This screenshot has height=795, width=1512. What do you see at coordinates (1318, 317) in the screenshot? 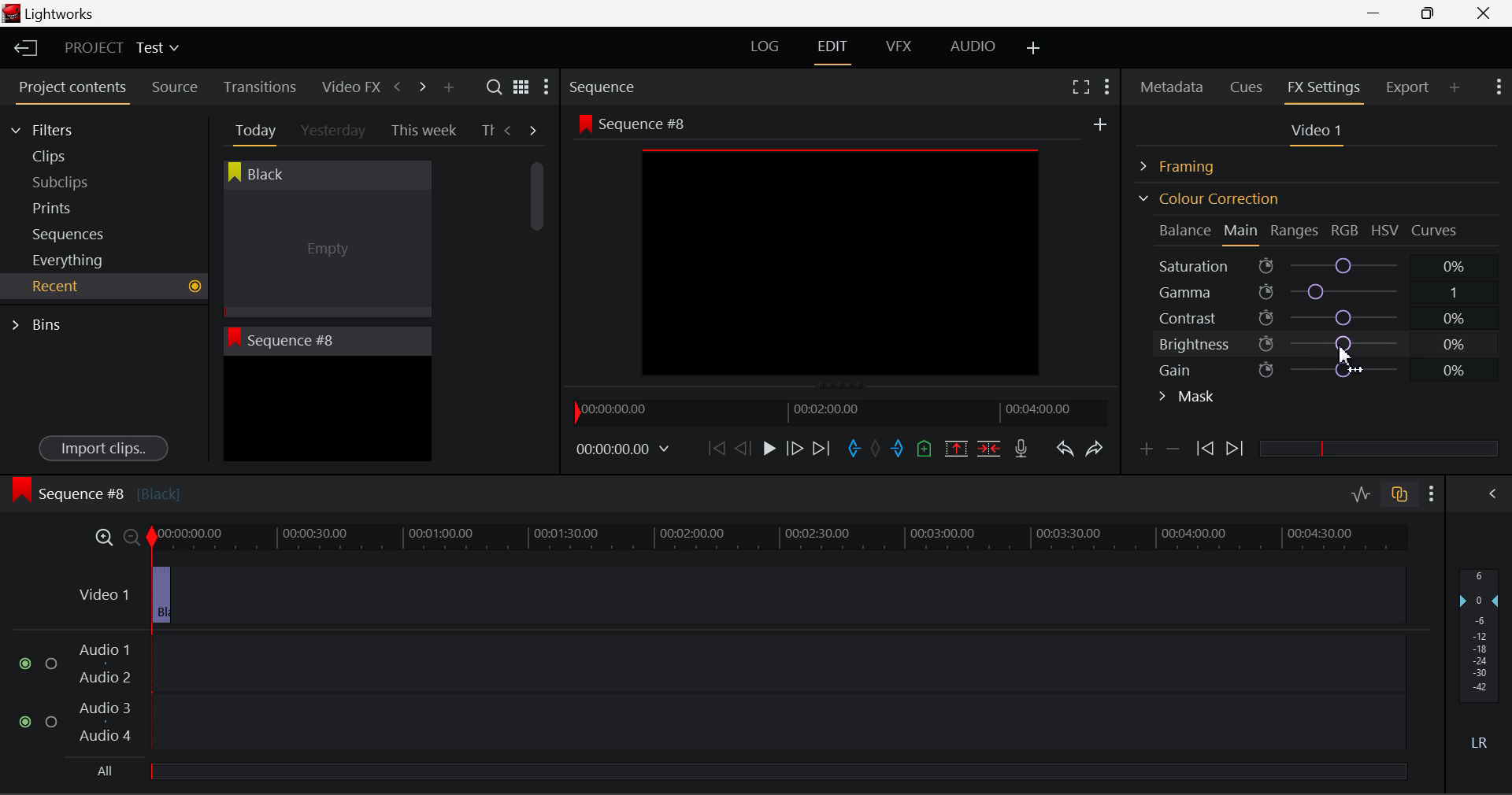
I see `Contrast` at bounding box center [1318, 317].